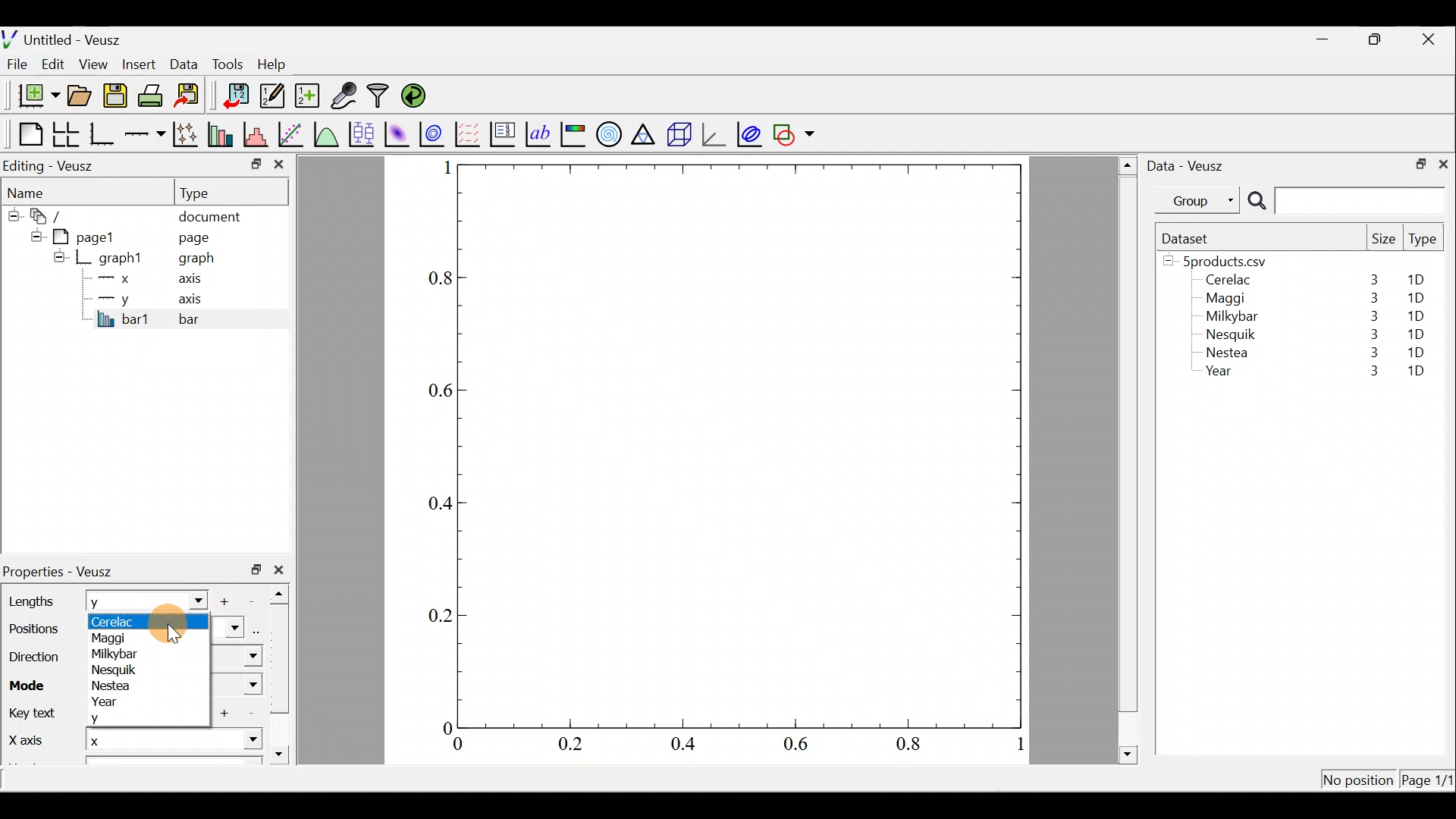 This screenshot has height=819, width=1456. What do you see at coordinates (272, 96) in the screenshot?
I see `Edit and enter new datasets` at bounding box center [272, 96].